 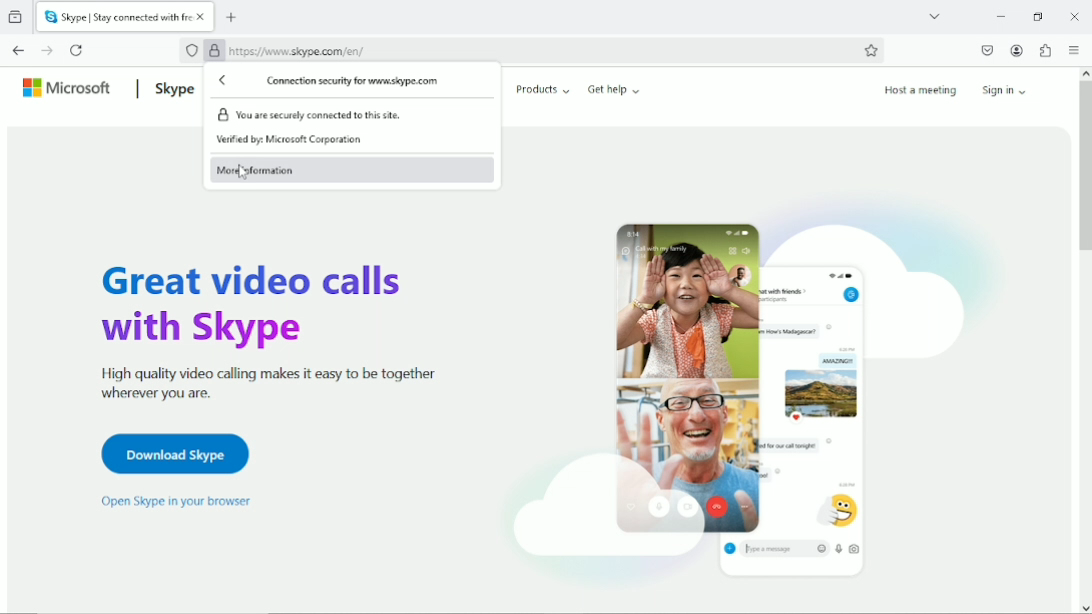 I want to click on scroll down, so click(x=1083, y=607).